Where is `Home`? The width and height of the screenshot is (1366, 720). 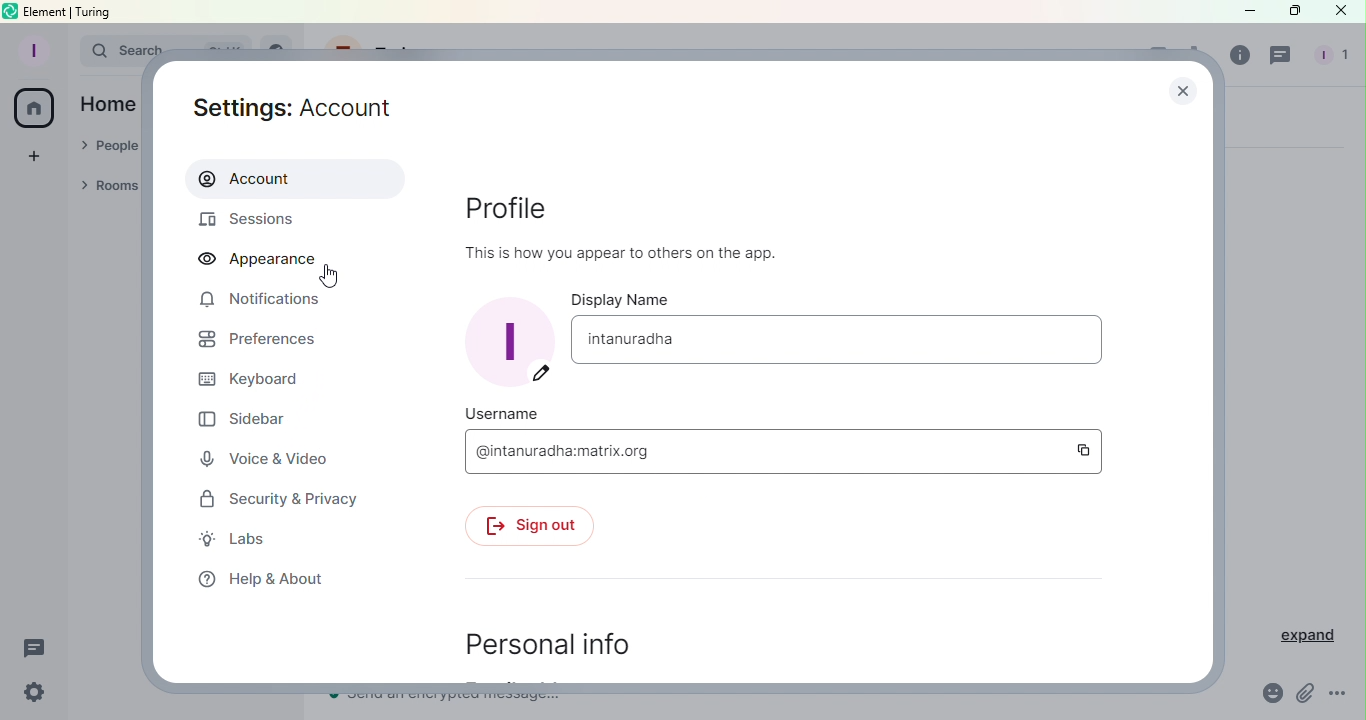 Home is located at coordinates (35, 110).